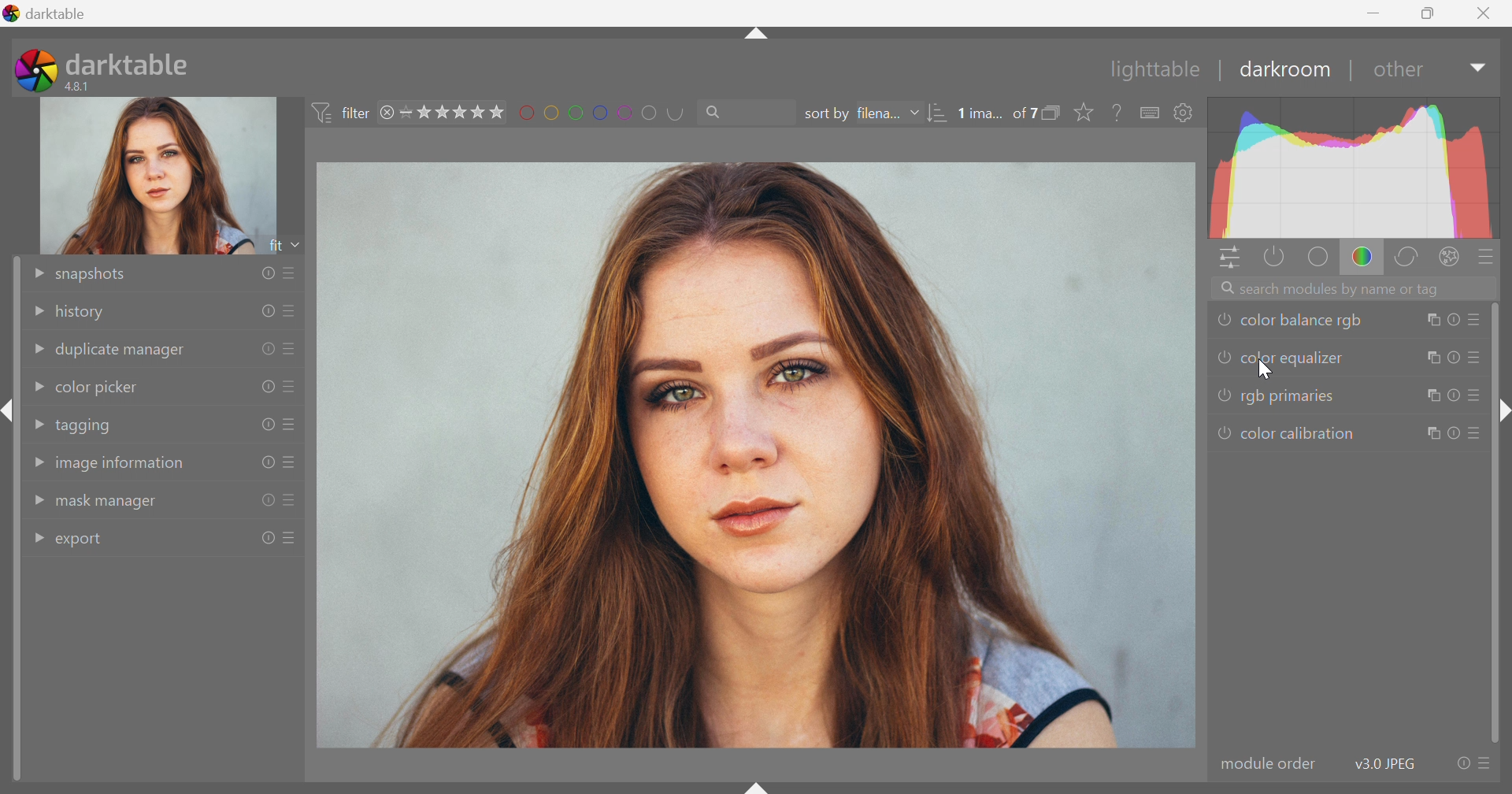 This screenshot has width=1512, height=794. What do you see at coordinates (1088, 113) in the screenshot?
I see `click to change type of overlays shown on thumbnails` at bounding box center [1088, 113].